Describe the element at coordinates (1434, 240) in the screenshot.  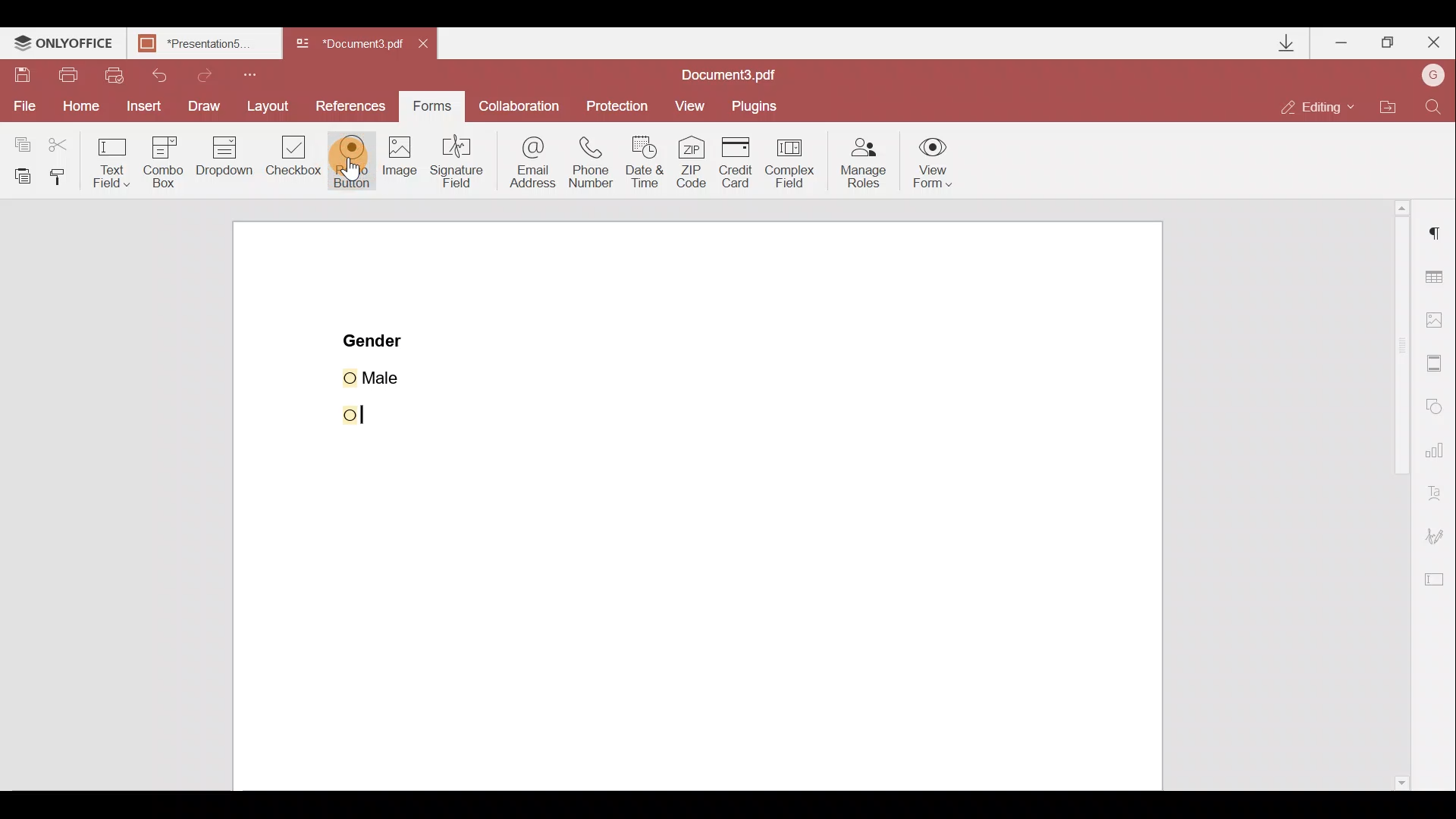
I see `Paragraph settings` at that location.